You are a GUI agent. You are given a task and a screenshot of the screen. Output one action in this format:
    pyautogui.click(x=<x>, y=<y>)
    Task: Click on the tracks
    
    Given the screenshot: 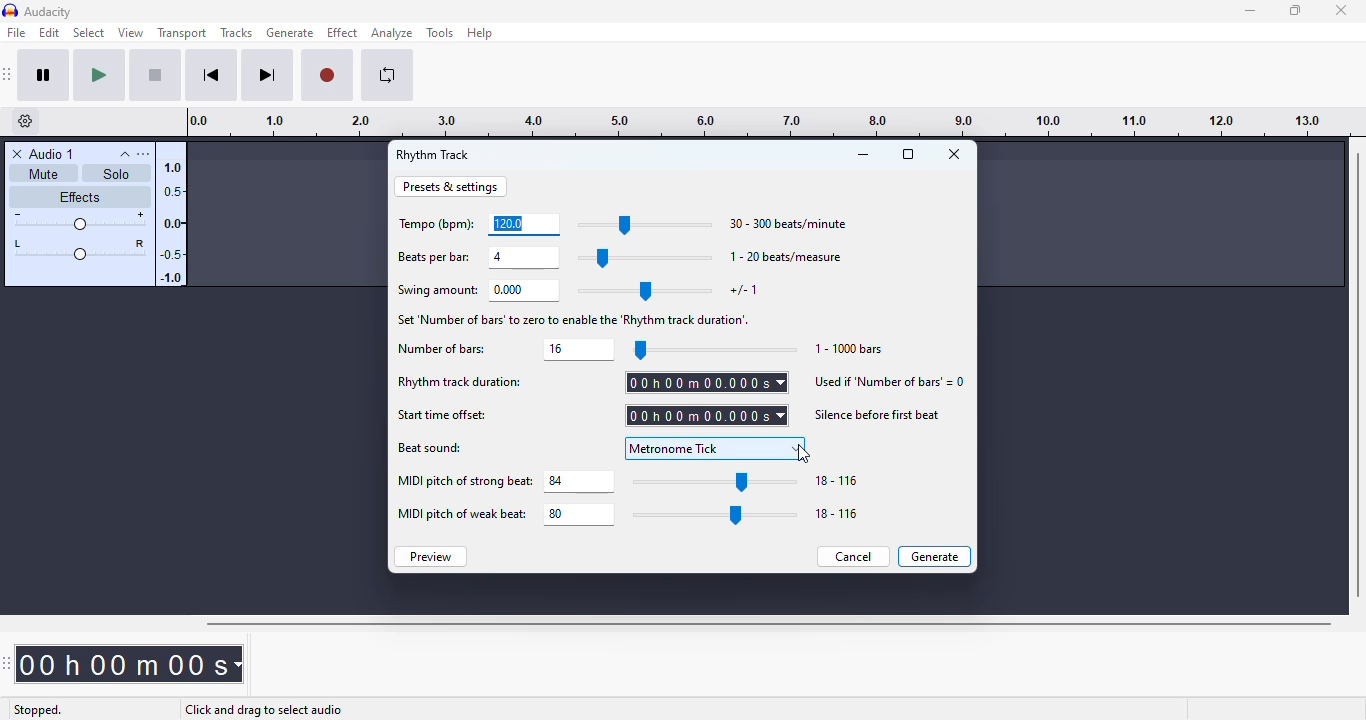 What is the action you would take?
    pyautogui.click(x=236, y=32)
    